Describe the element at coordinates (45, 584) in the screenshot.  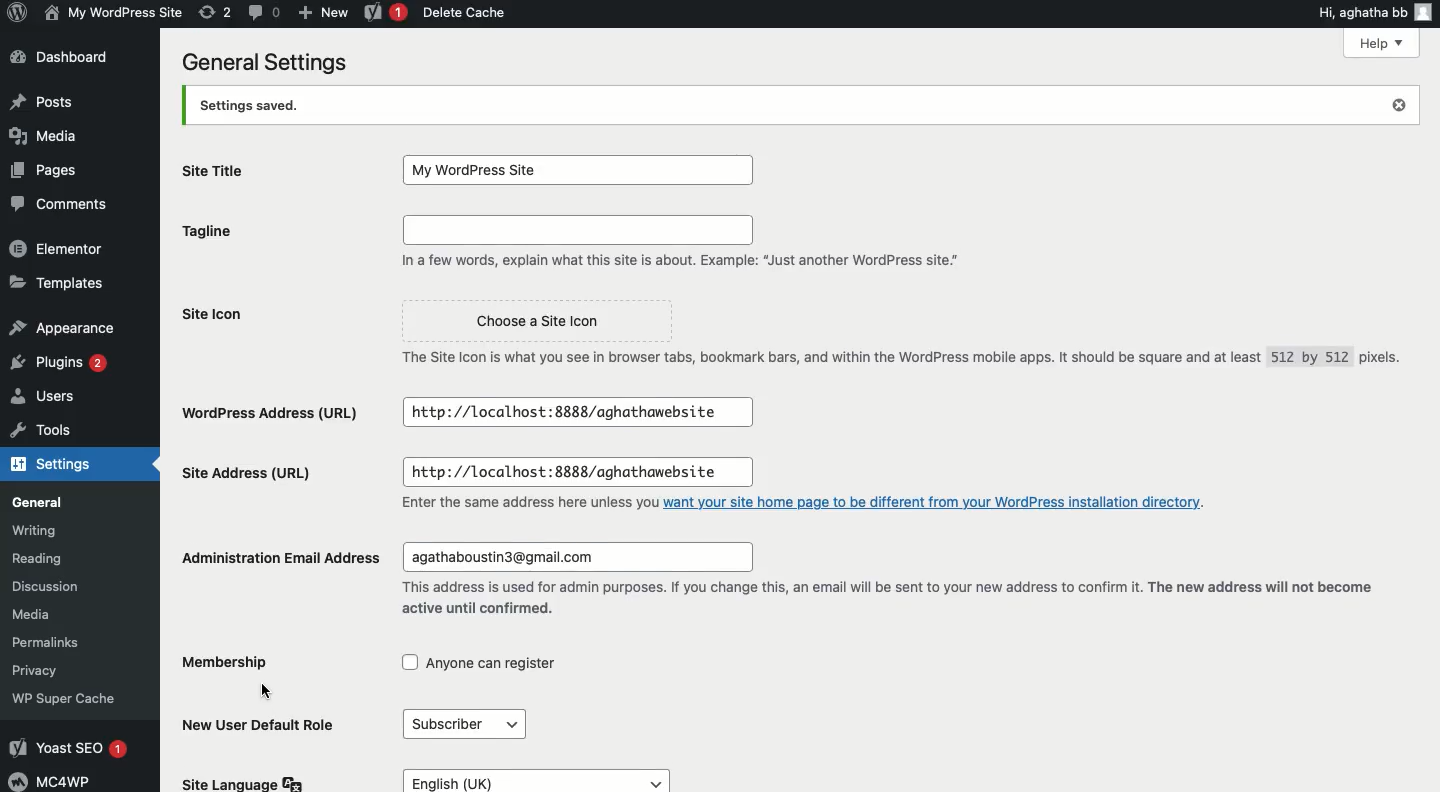
I see `Discussion` at that location.